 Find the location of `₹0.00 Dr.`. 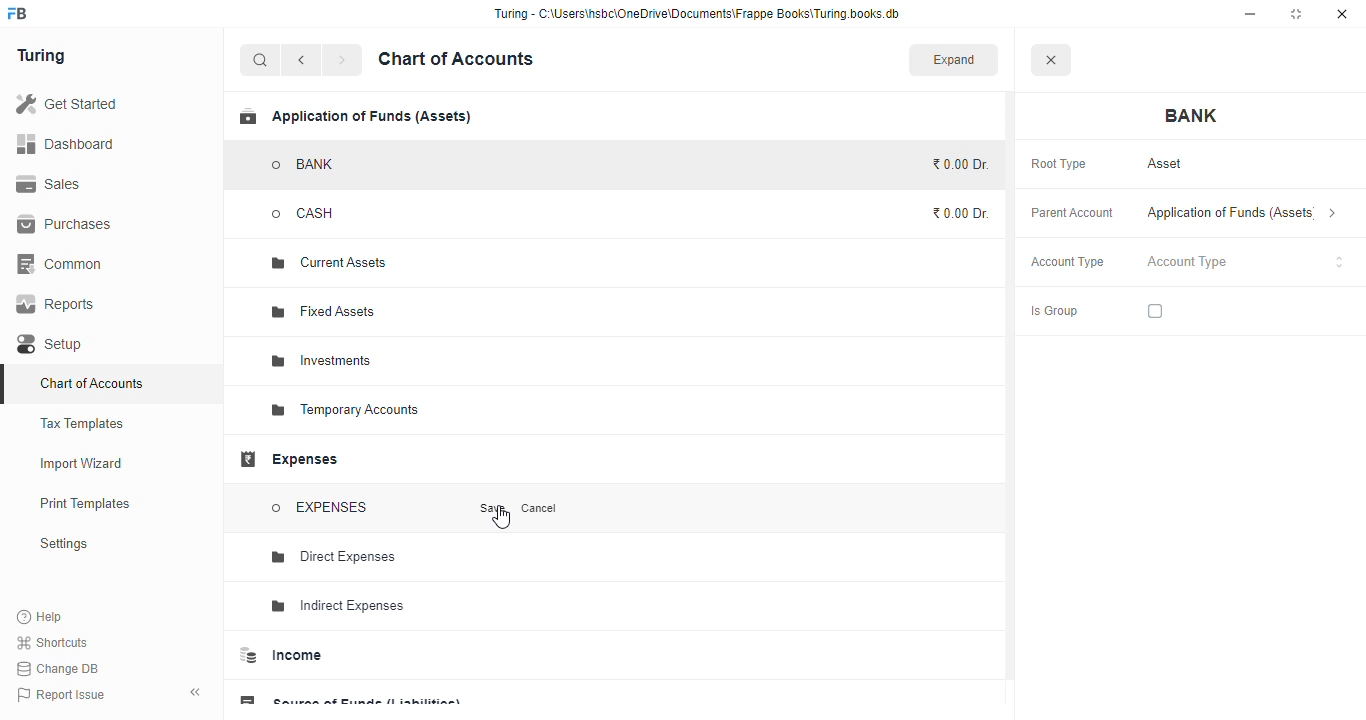

₹0.00 Dr. is located at coordinates (962, 213).